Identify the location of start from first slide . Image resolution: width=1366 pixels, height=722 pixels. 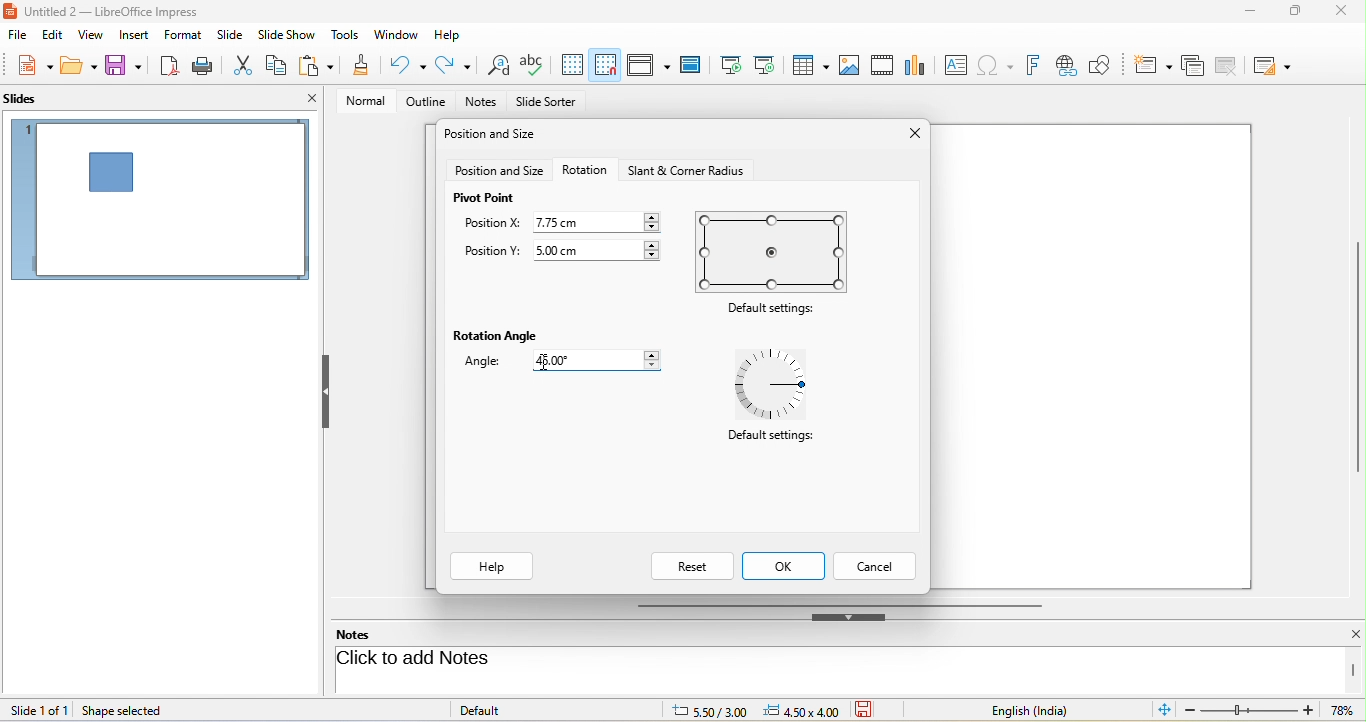
(731, 64).